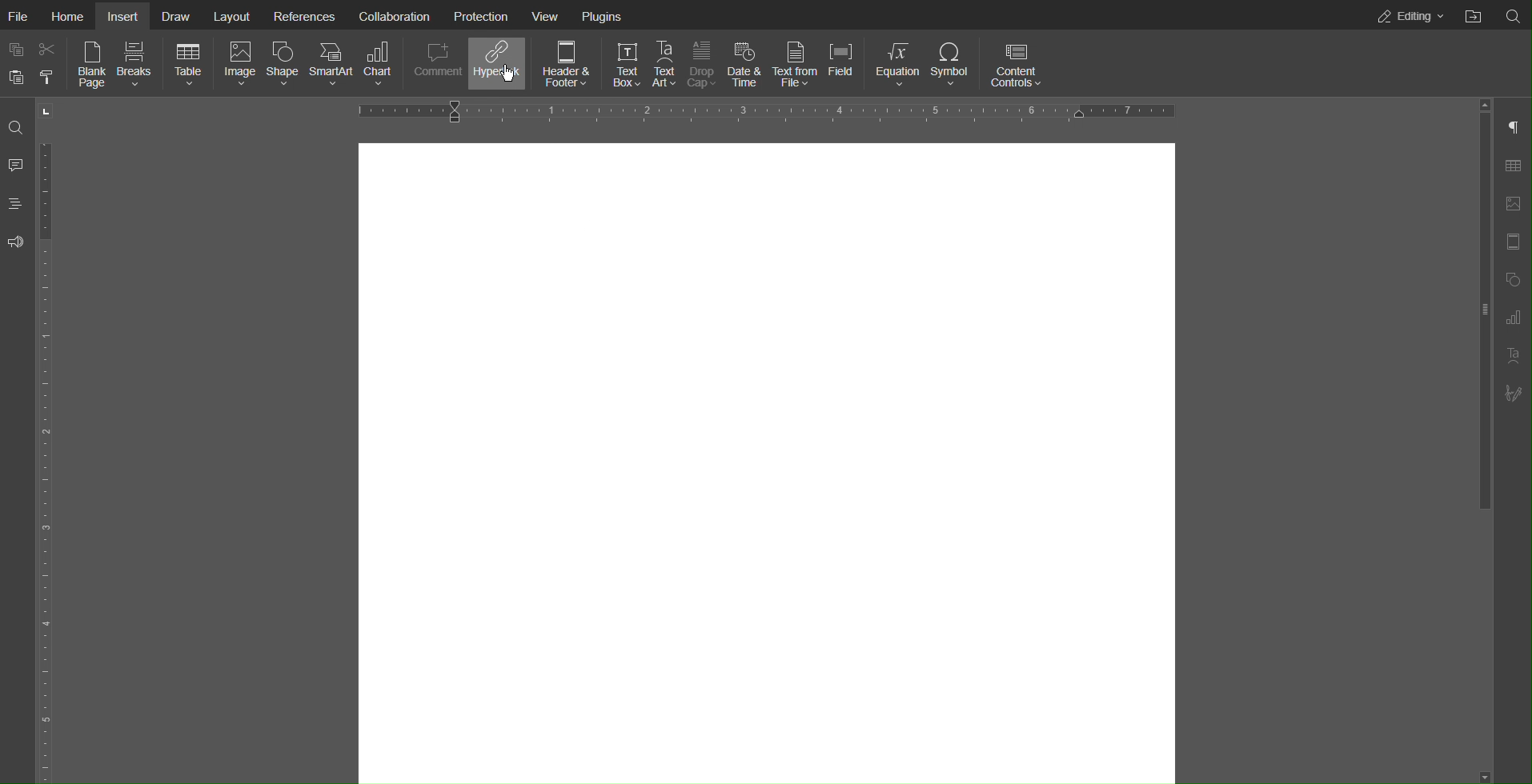 This screenshot has width=1532, height=784. What do you see at coordinates (1513, 358) in the screenshot?
I see `Text Art` at bounding box center [1513, 358].